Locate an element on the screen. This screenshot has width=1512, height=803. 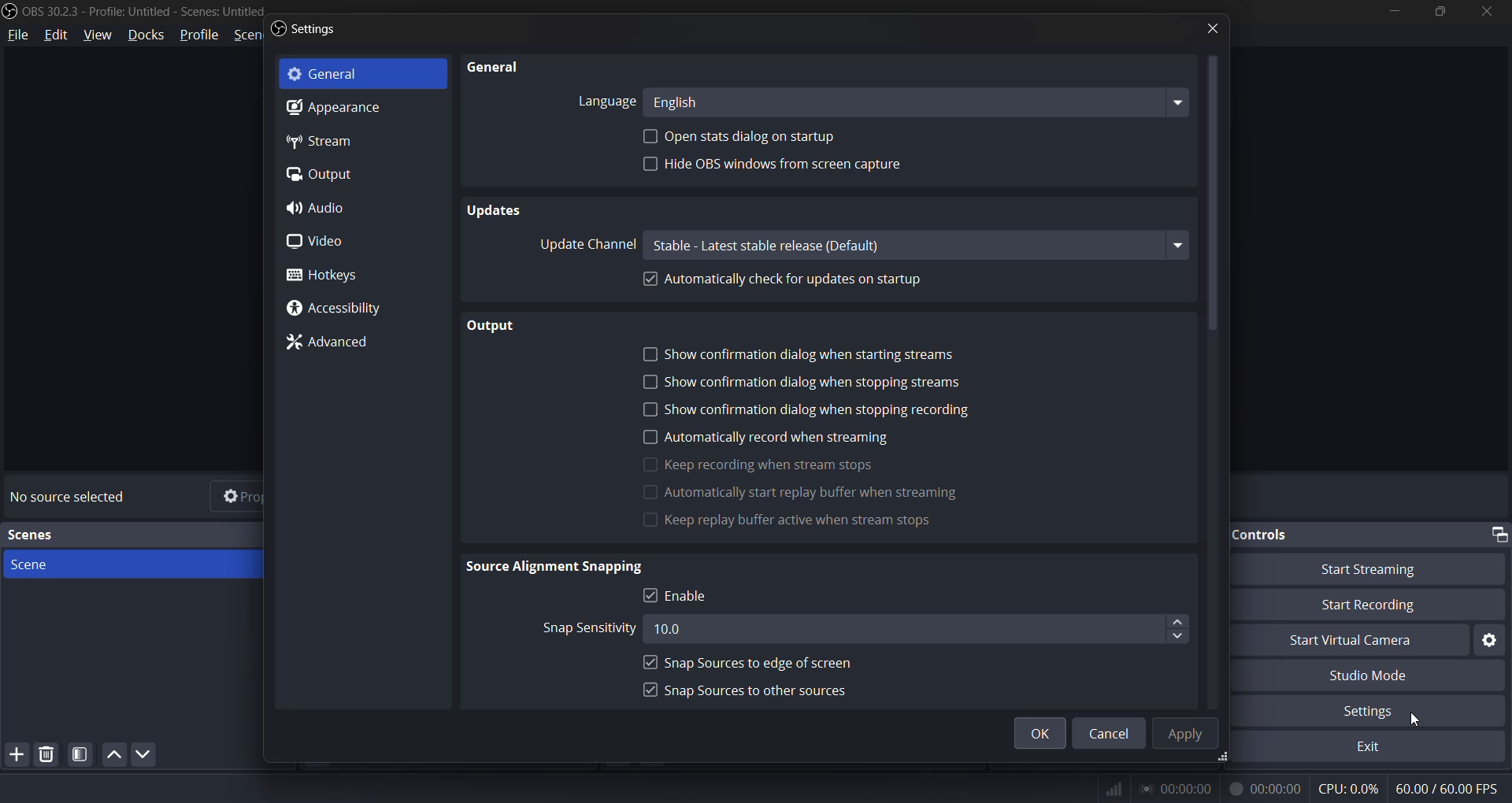
apply is located at coordinates (1180, 734).